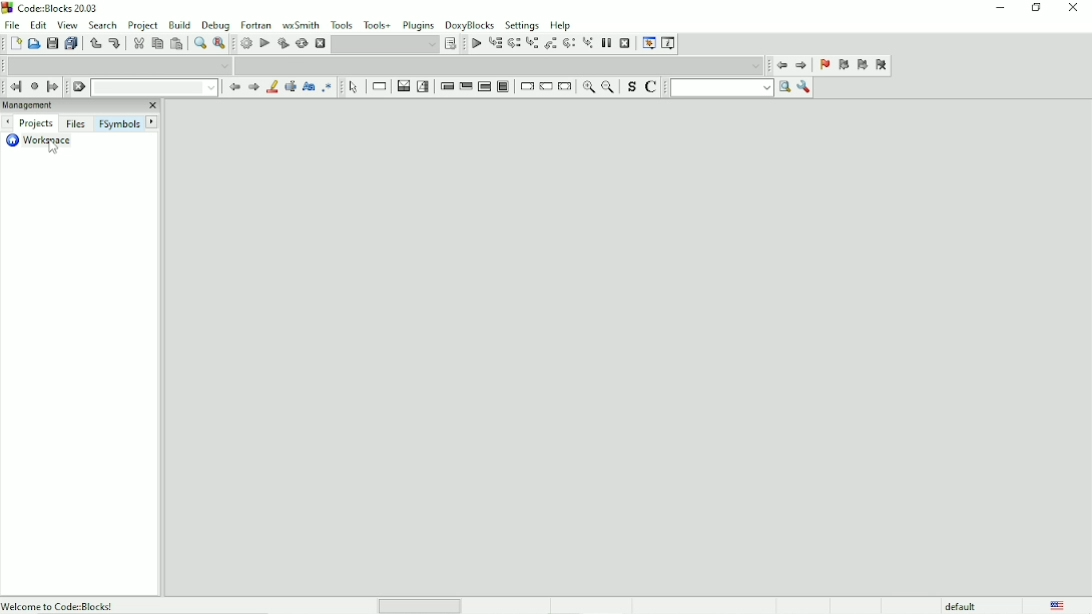 This screenshot has height=614, width=1092. What do you see at coordinates (1057, 605) in the screenshot?
I see `Language` at bounding box center [1057, 605].